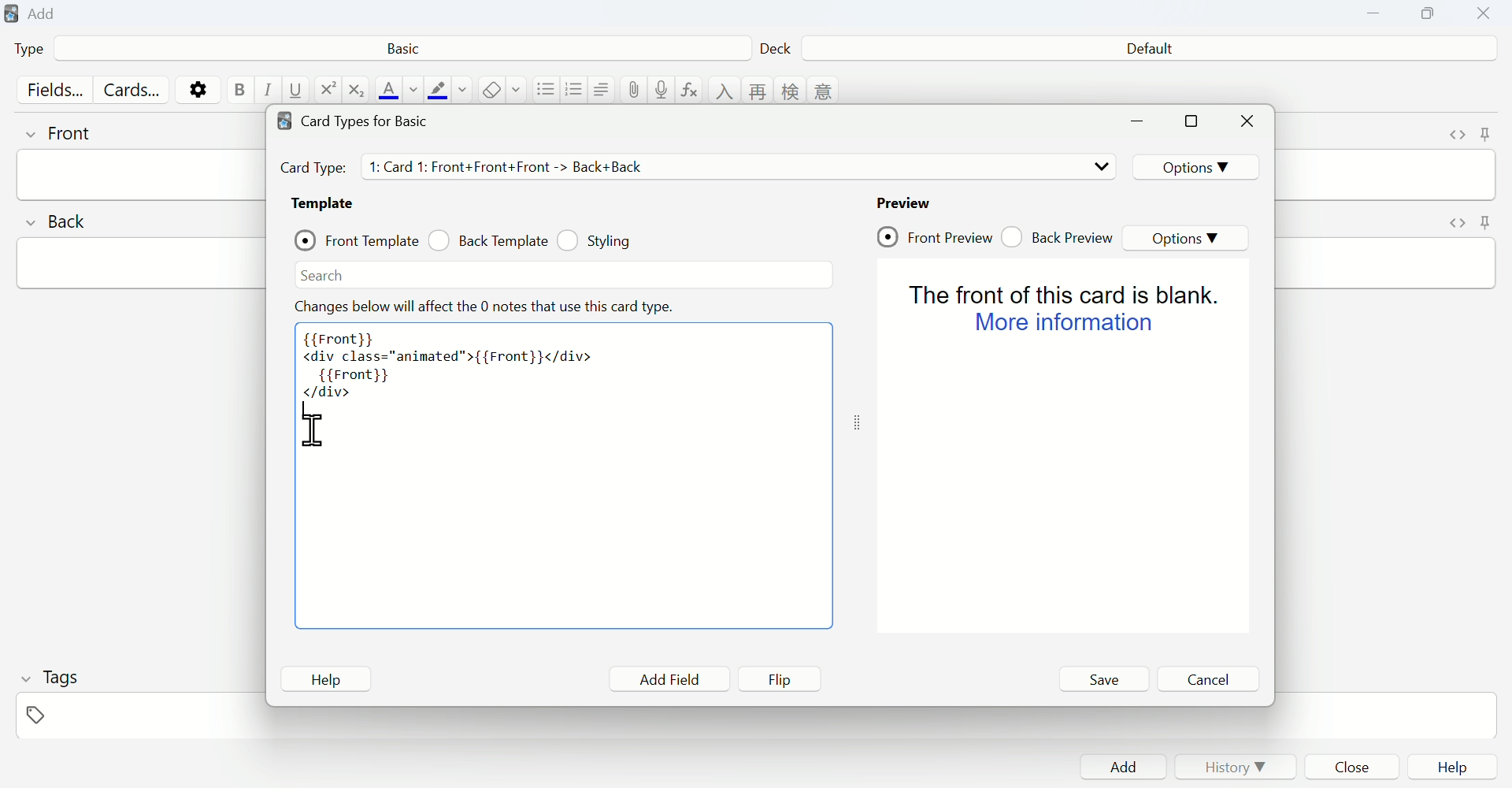 The image size is (1512, 788). Describe the element at coordinates (774, 50) in the screenshot. I see `Deck` at that location.